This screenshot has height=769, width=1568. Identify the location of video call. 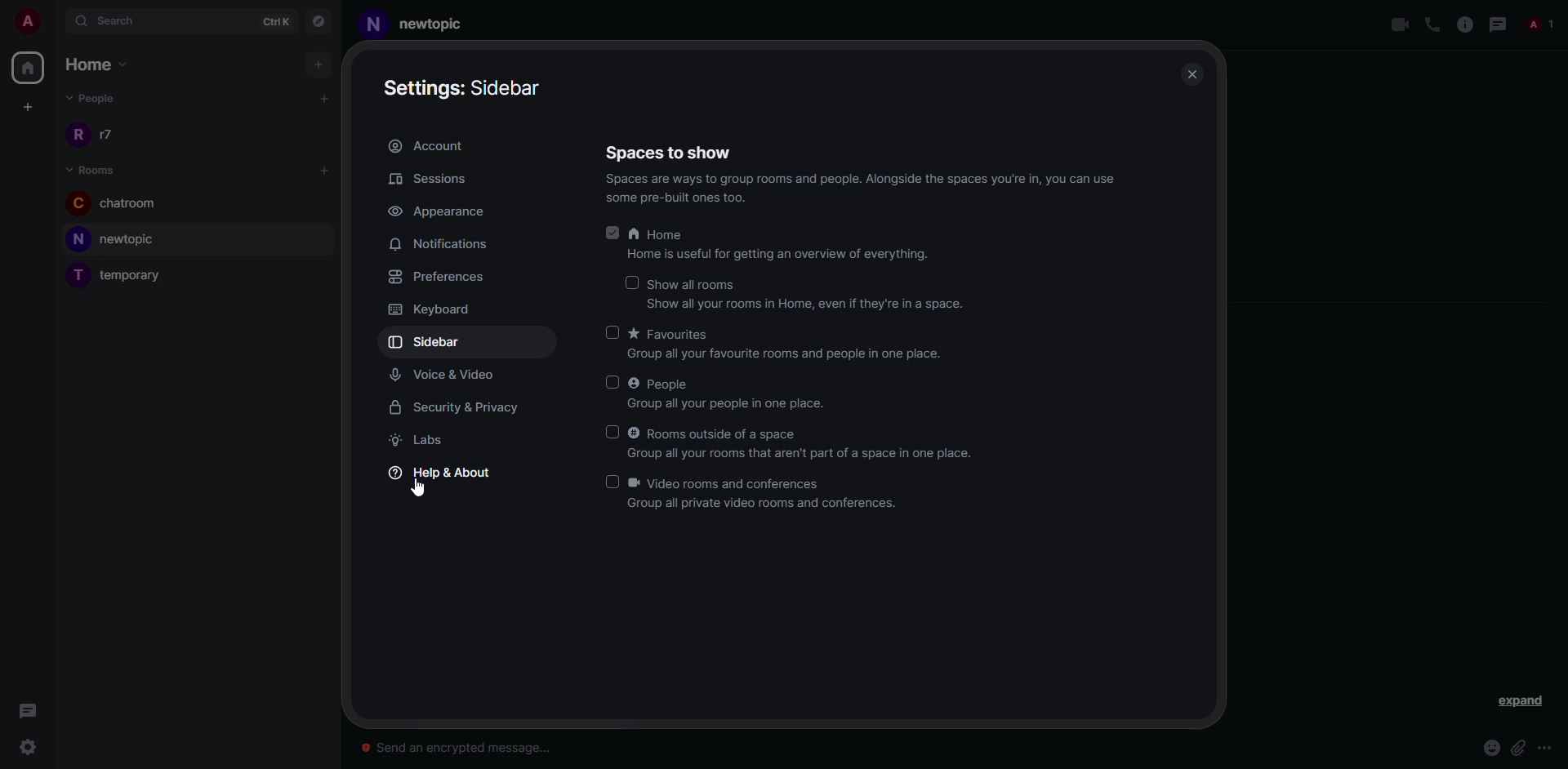
(1399, 25).